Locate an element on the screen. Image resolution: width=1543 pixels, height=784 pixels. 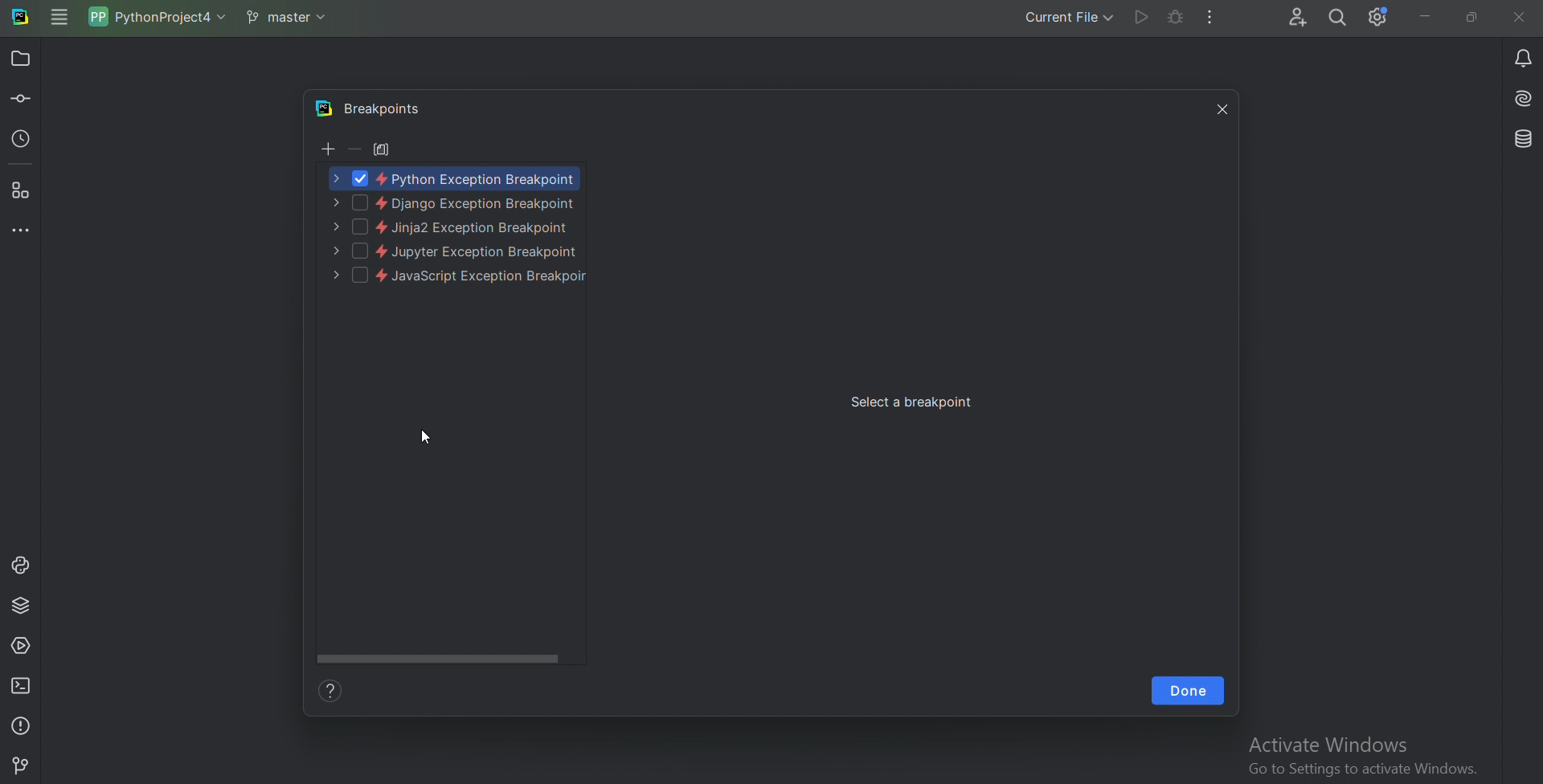
Javascript Exception Breakpoint is located at coordinates (451, 277).